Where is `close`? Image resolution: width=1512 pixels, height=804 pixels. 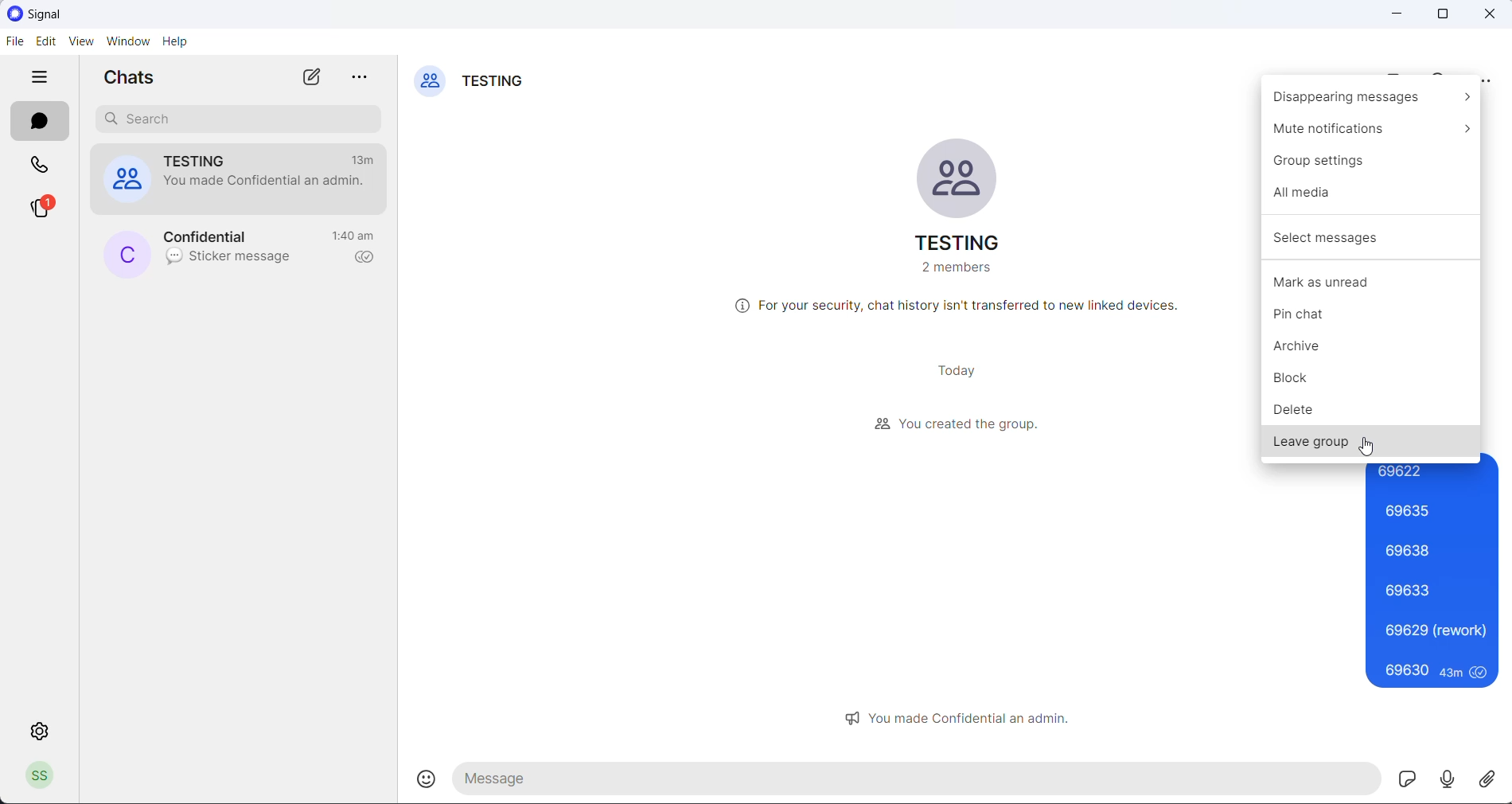
close is located at coordinates (1494, 15).